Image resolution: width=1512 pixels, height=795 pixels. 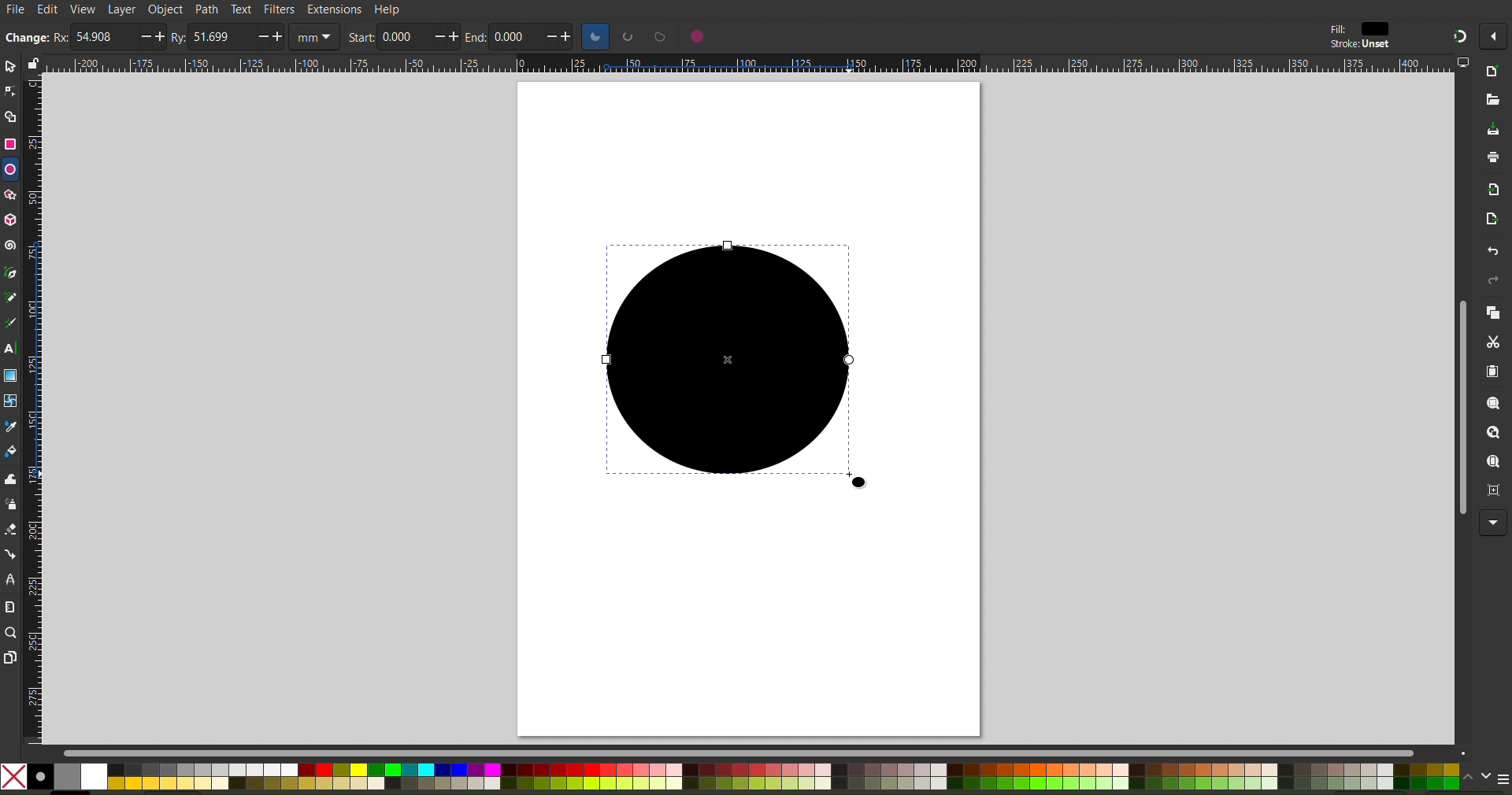 What do you see at coordinates (517, 37) in the screenshot?
I see `0` at bounding box center [517, 37].